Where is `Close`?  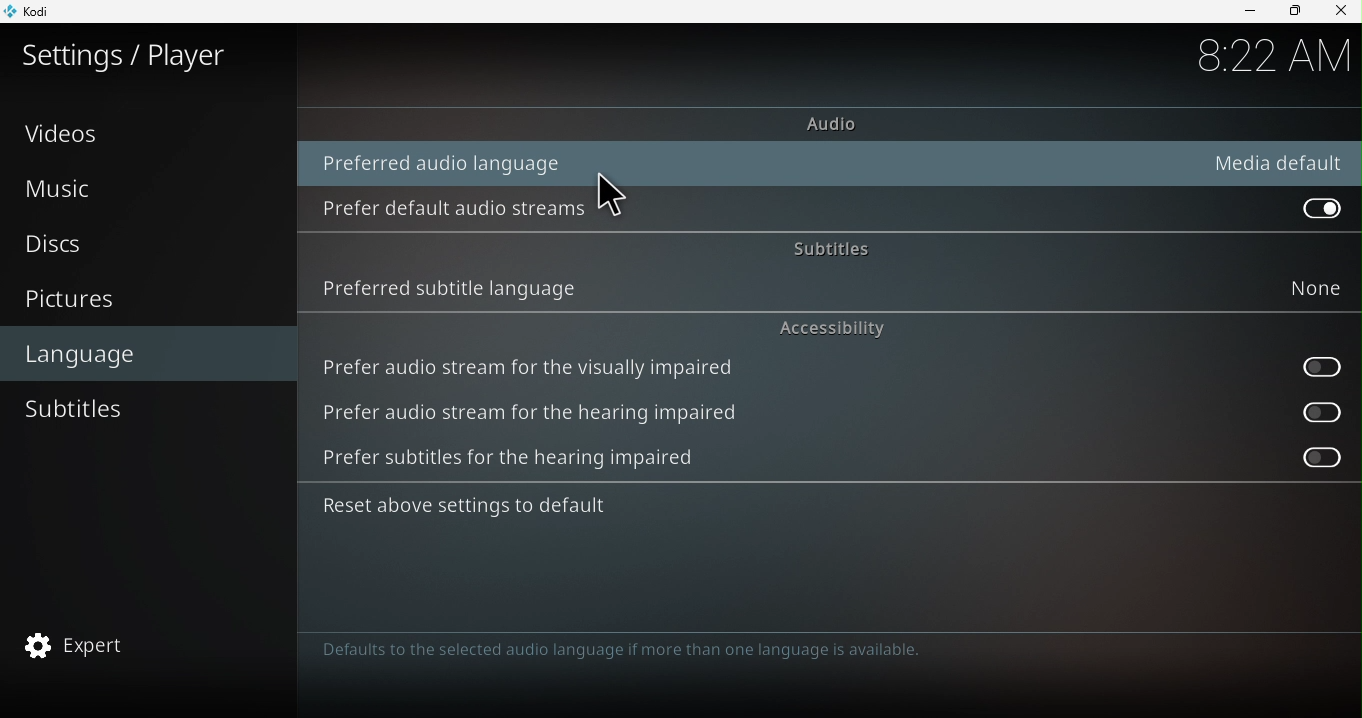
Close is located at coordinates (1340, 11).